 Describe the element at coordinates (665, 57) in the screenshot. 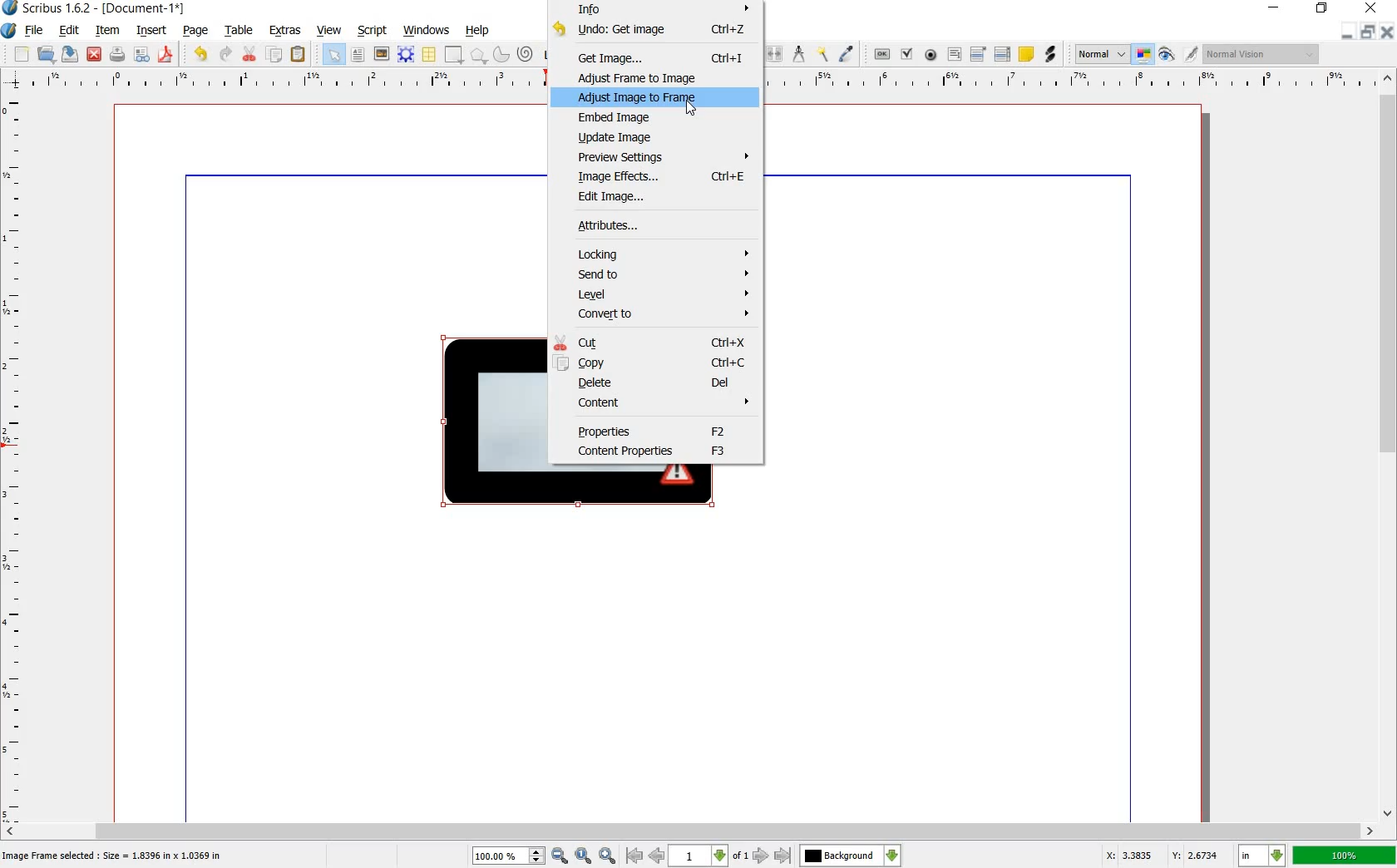

I see `get image` at that location.